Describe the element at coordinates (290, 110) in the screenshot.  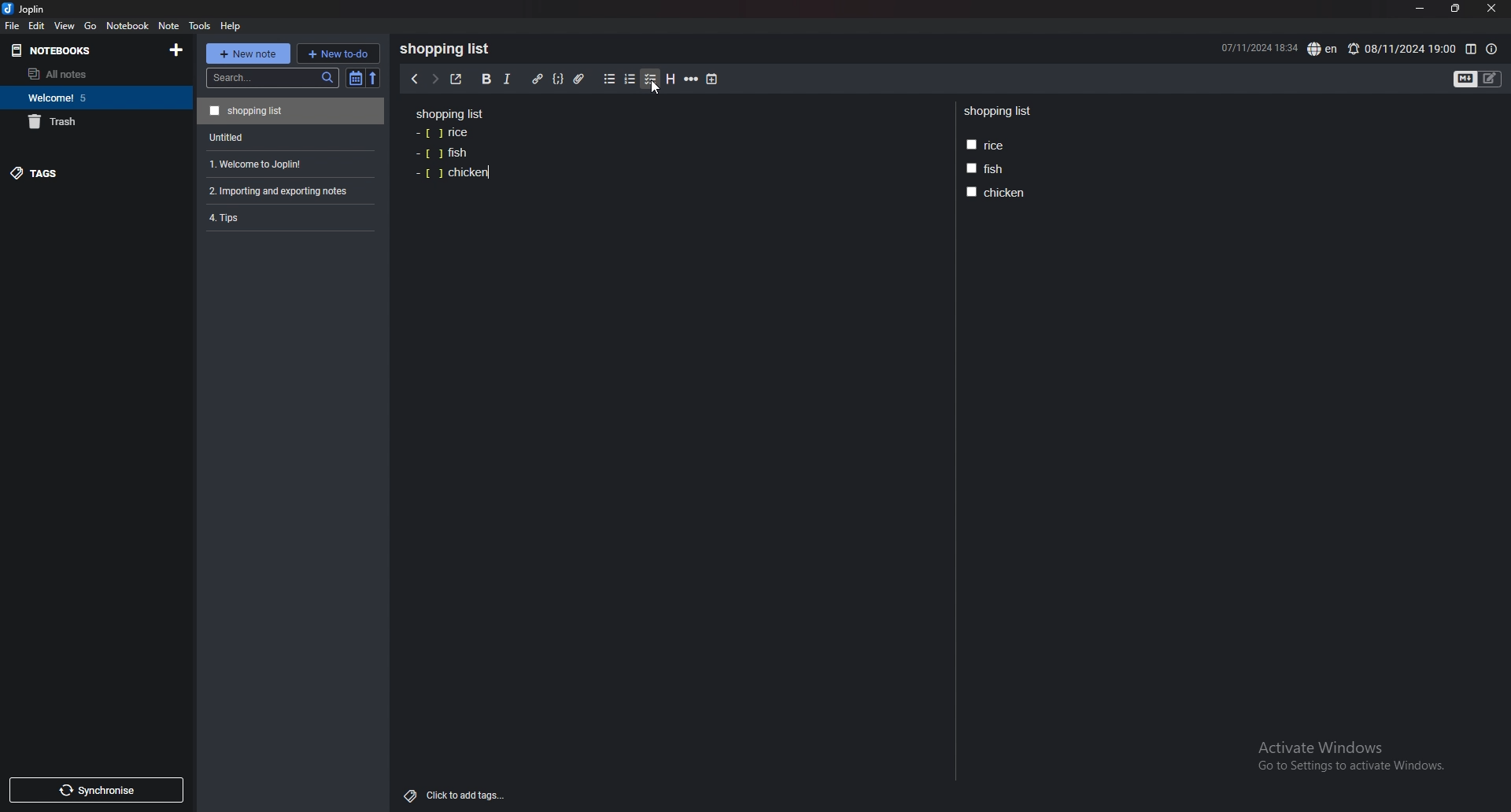
I see `Shopping list` at that location.